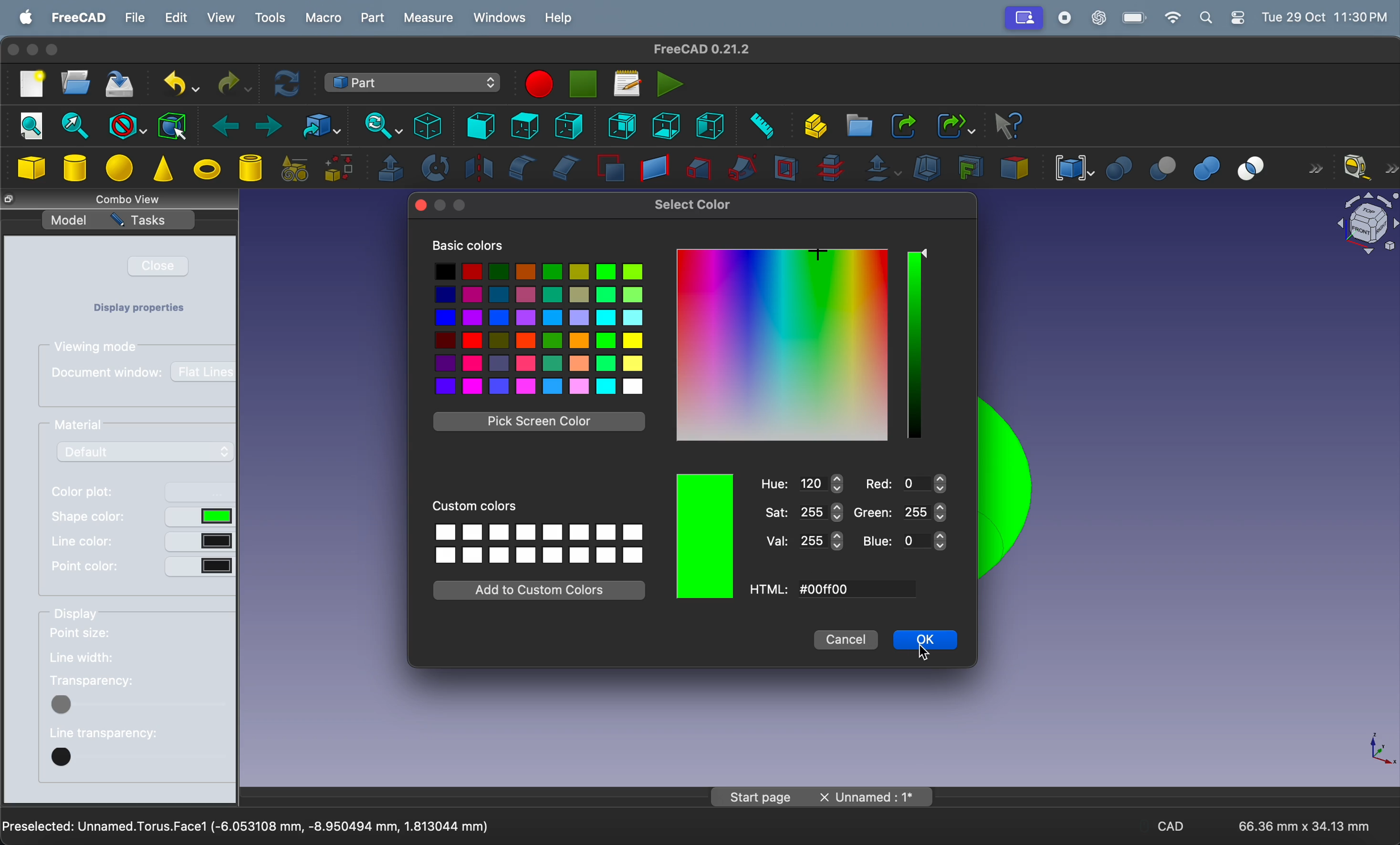  Describe the element at coordinates (124, 123) in the screenshot. I see `block` at that location.